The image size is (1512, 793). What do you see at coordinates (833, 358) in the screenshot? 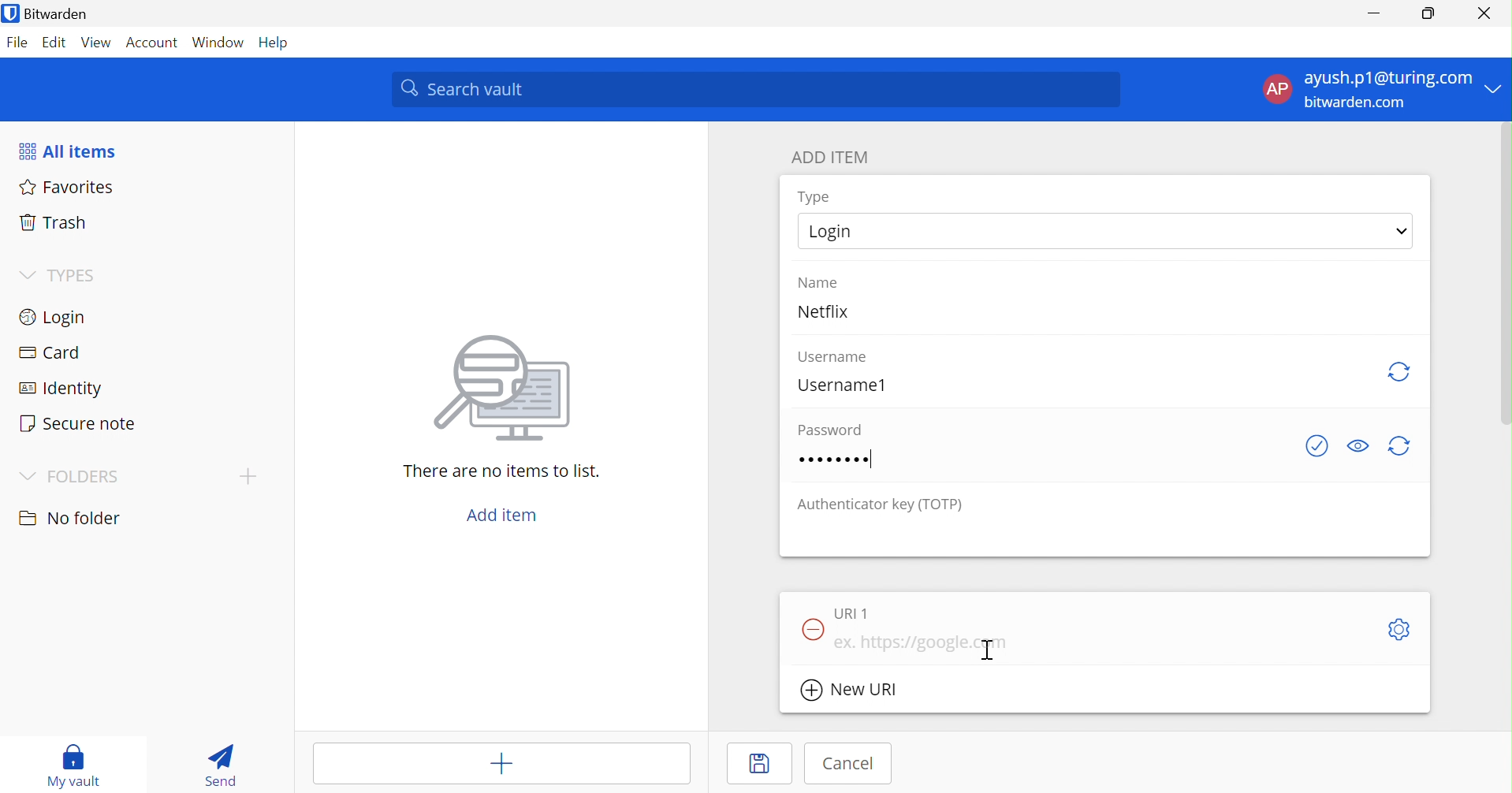
I see `Username` at bounding box center [833, 358].